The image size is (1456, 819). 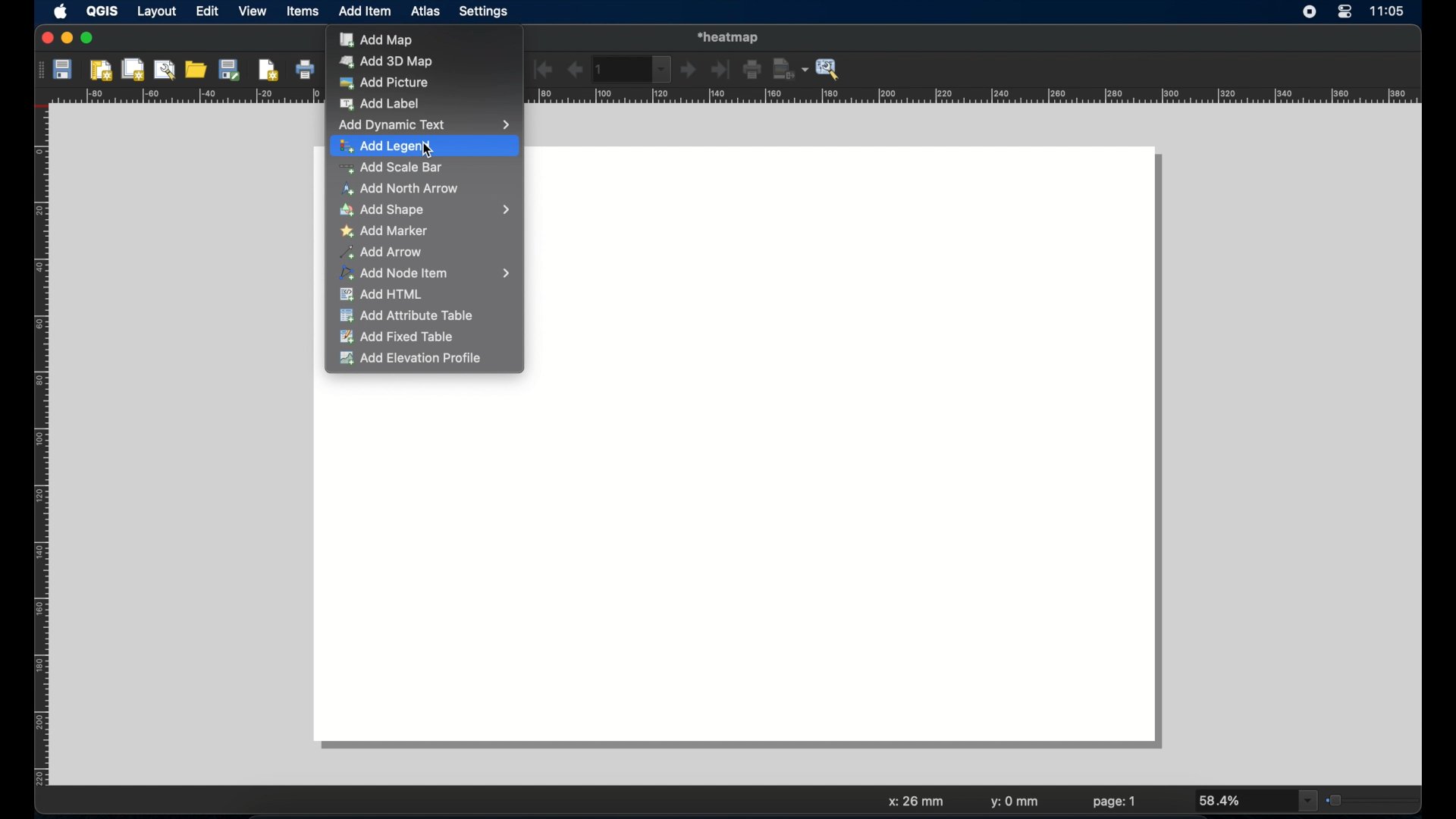 I want to click on layout manager, so click(x=166, y=70).